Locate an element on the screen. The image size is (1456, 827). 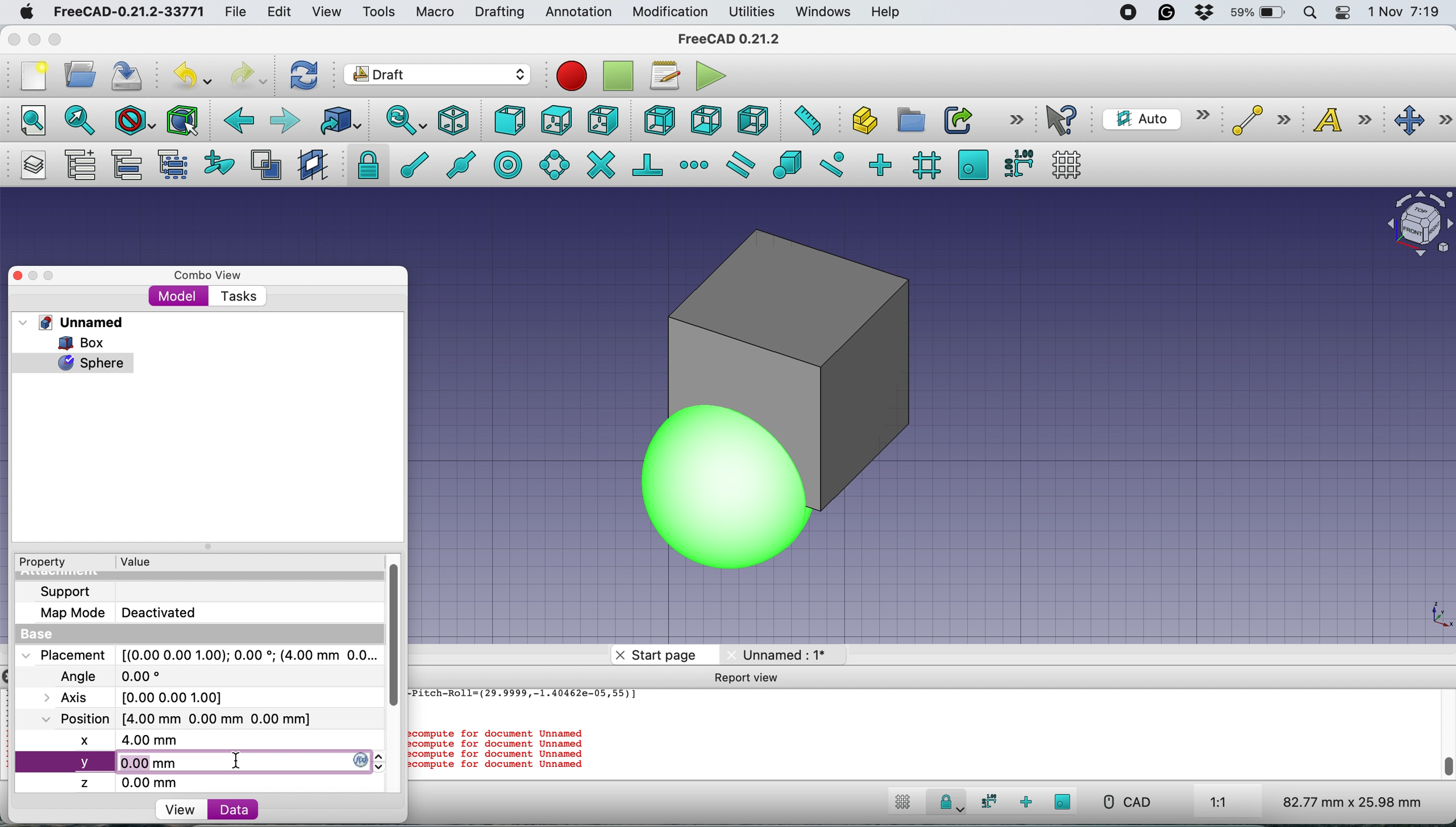
move is located at coordinates (1424, 121).